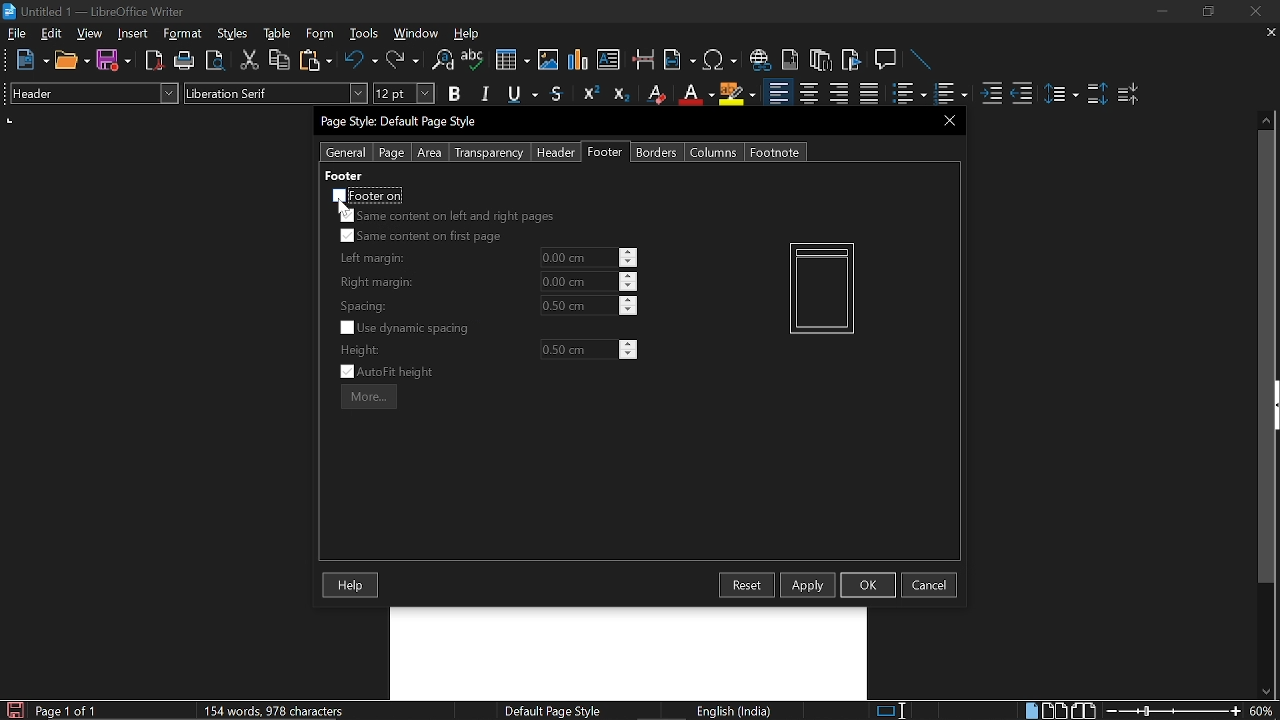  What do you see at coordinates (552, 153) in the screenshot?
I see `Header` at bounding box center [552, 153].